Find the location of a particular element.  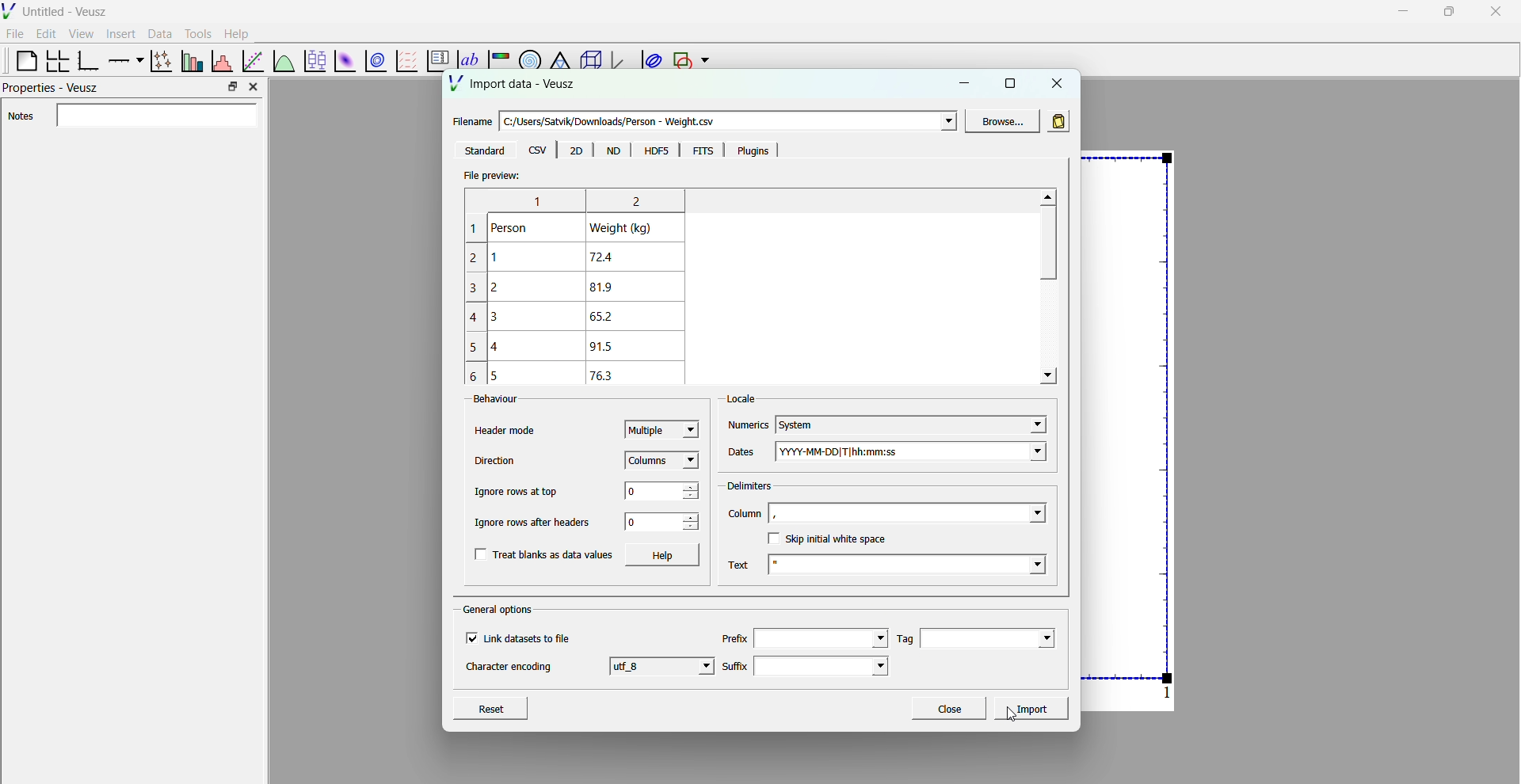

HOFS is located at coordinates (655, 150).